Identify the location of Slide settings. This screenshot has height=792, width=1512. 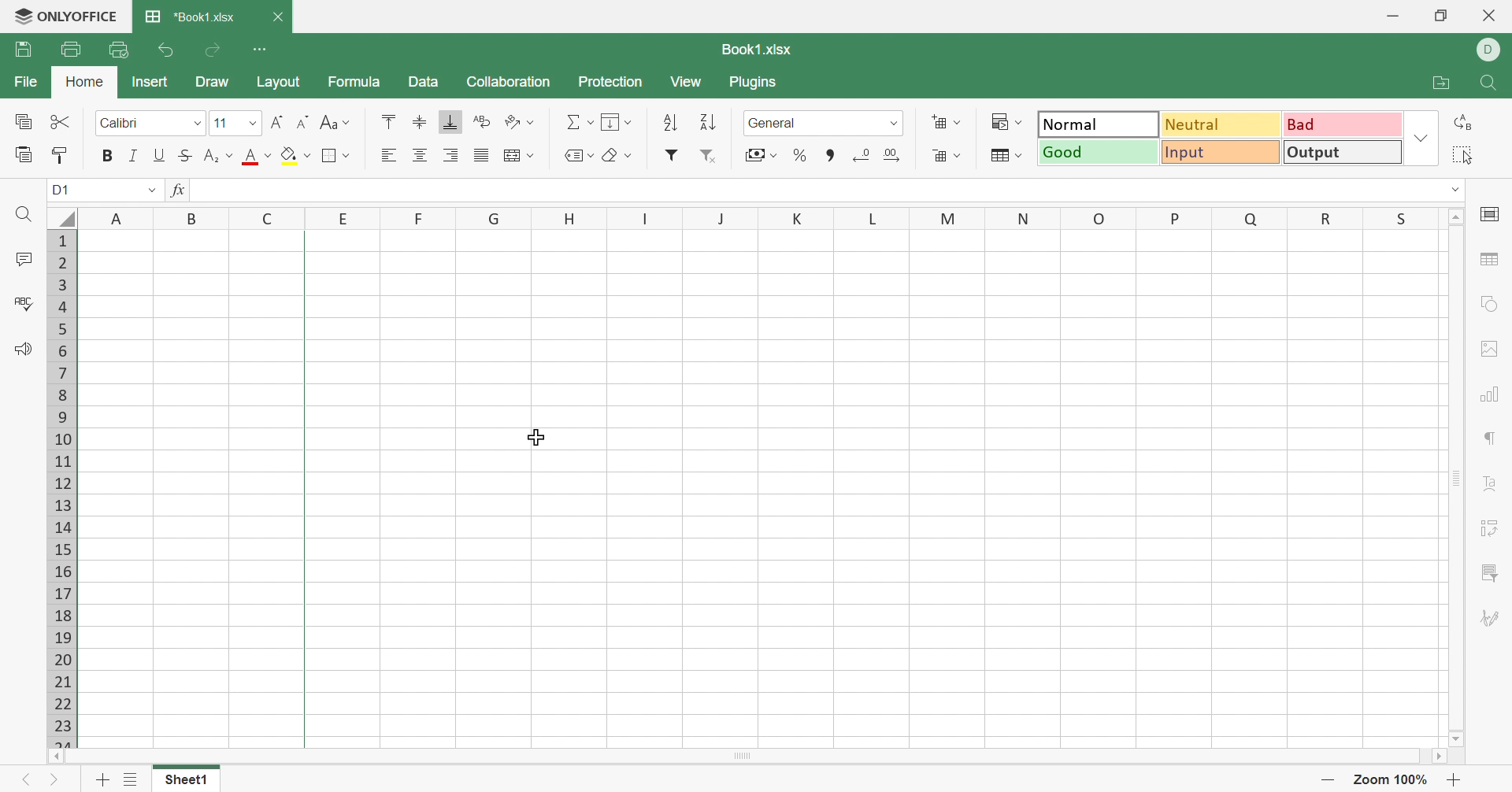
(1488, 218).